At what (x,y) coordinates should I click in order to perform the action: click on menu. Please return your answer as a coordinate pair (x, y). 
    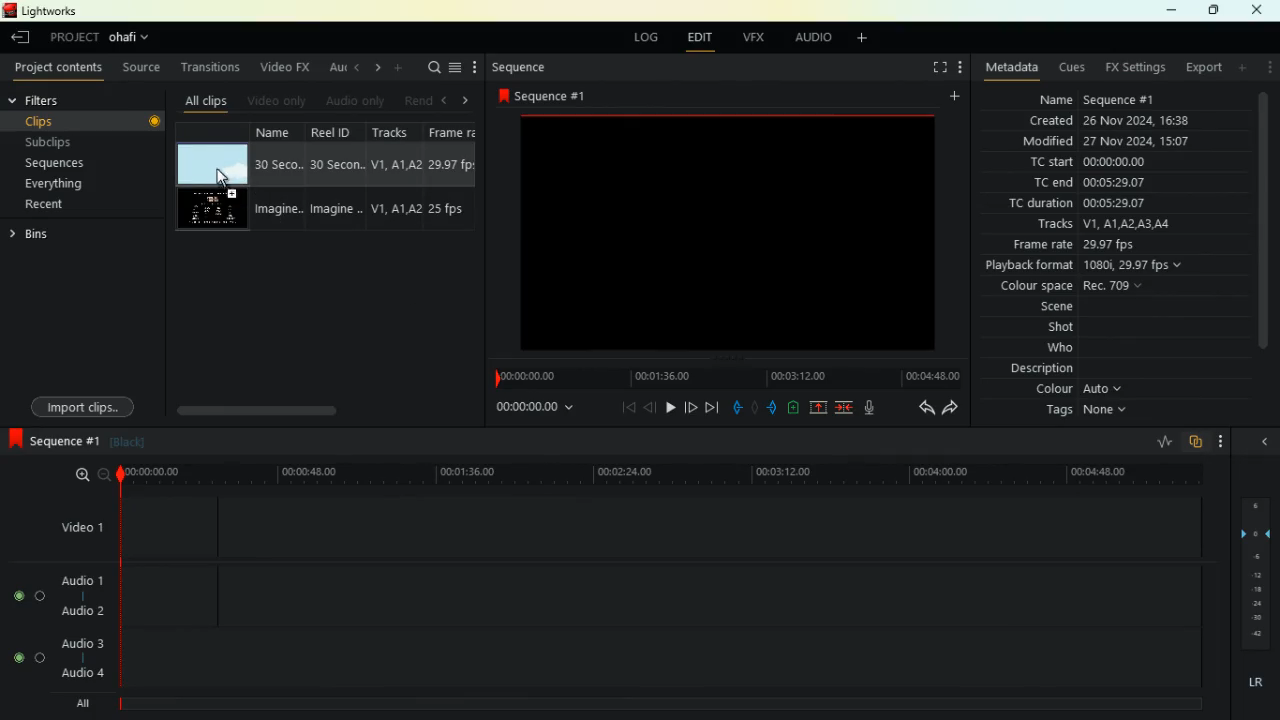
    Looking at the image, I should click on (965, 67).